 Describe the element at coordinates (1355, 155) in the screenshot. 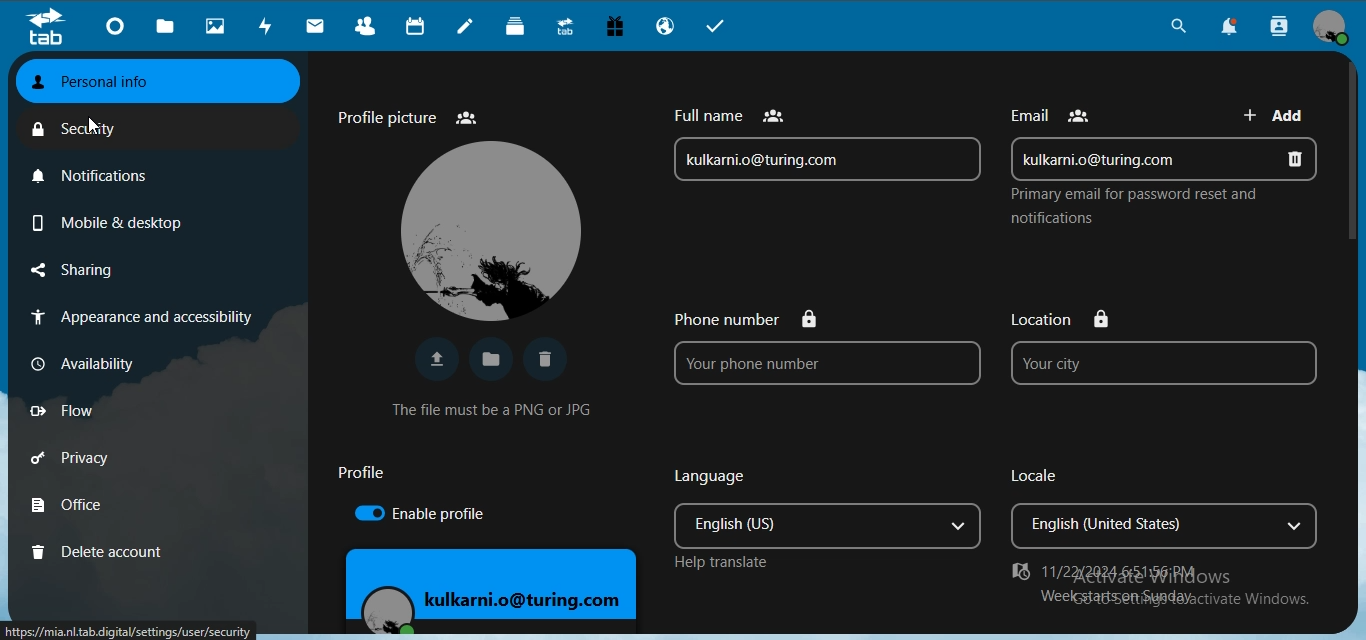

I see `scroll bar` at that location.